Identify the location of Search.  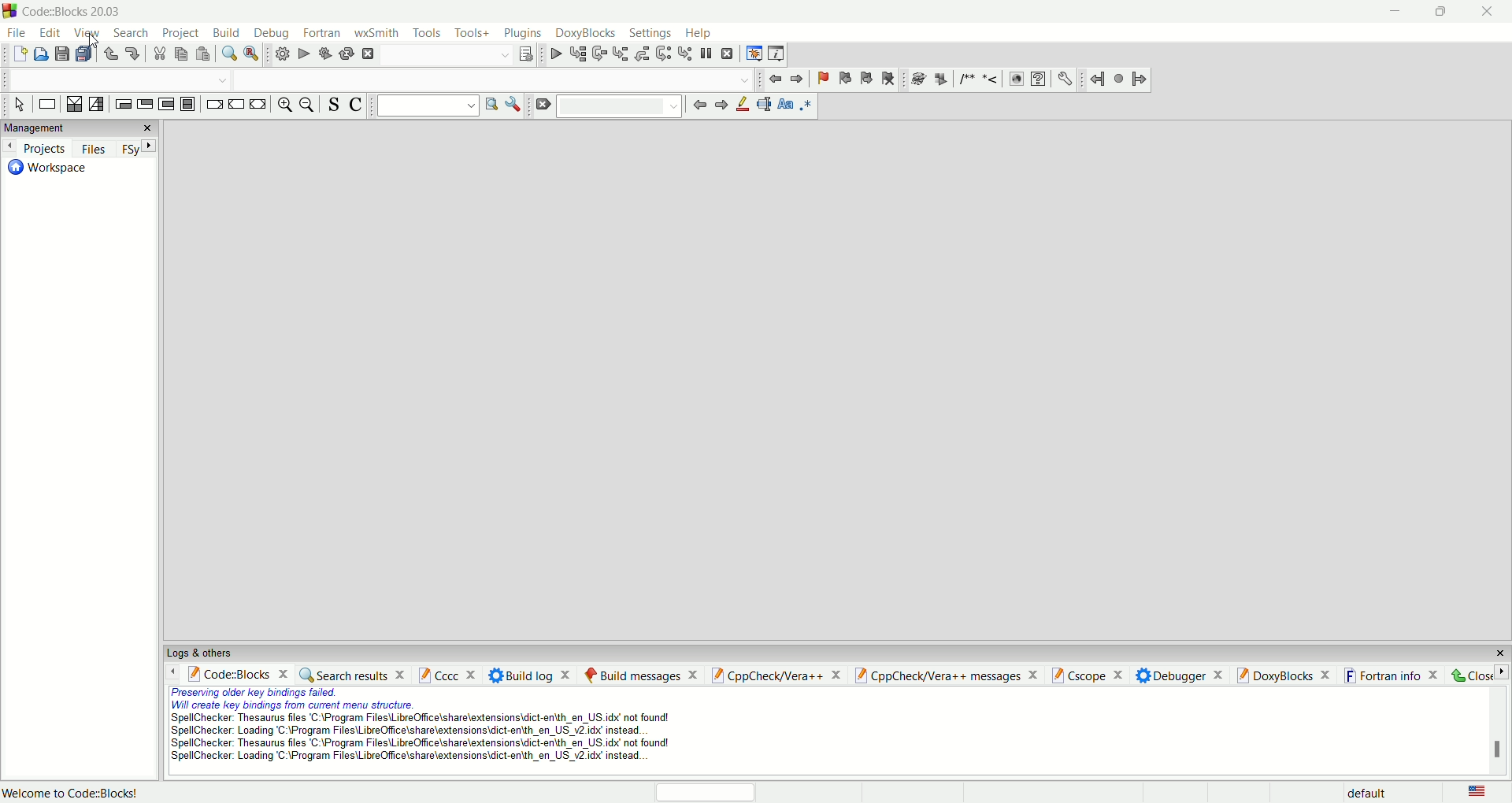
(620, 106).